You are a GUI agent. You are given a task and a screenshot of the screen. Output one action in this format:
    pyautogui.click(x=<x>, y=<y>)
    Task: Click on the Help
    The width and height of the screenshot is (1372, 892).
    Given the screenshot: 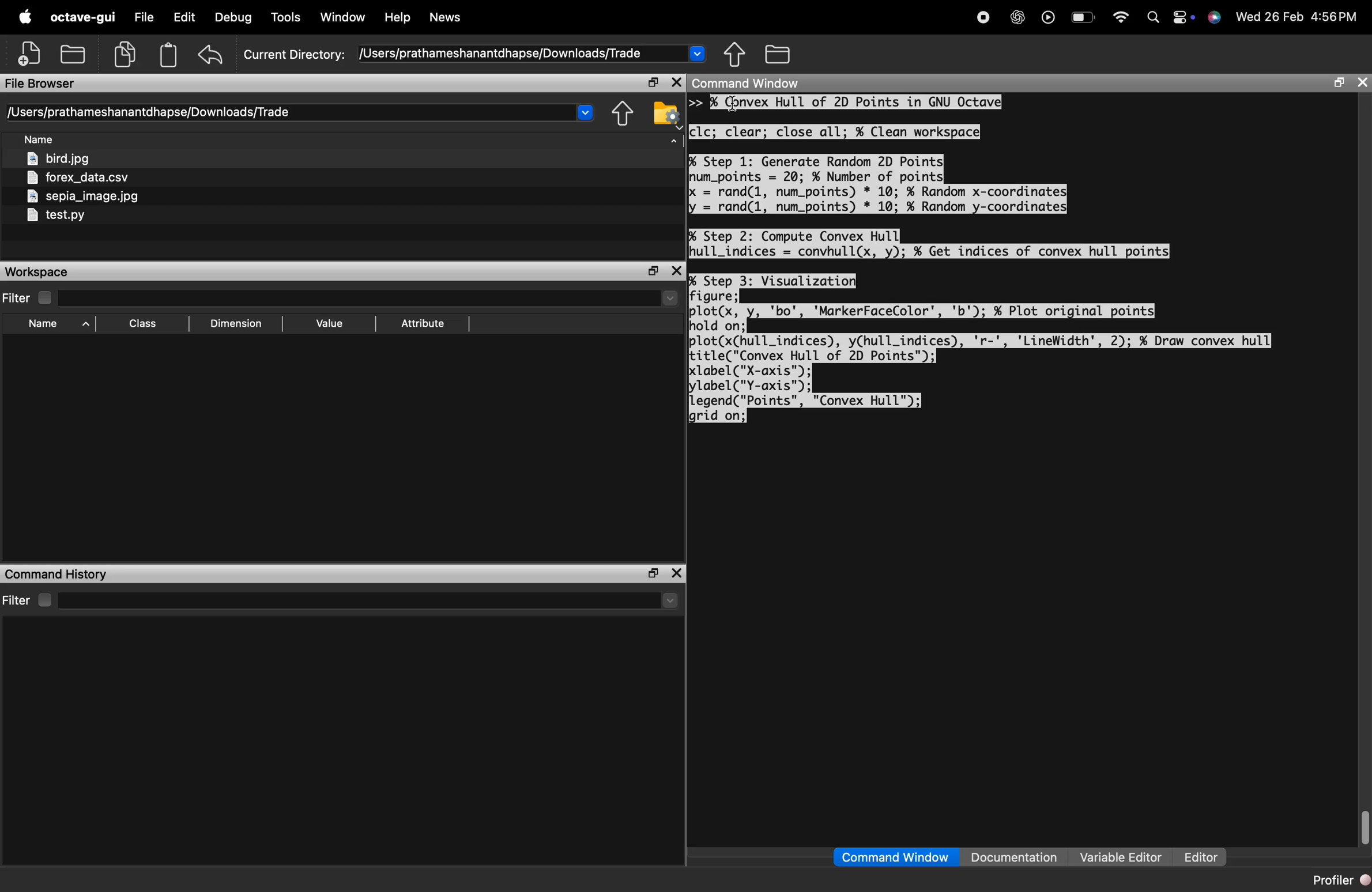 What is the action you would take?
    pyautogui.click(x=397, y=16)
    